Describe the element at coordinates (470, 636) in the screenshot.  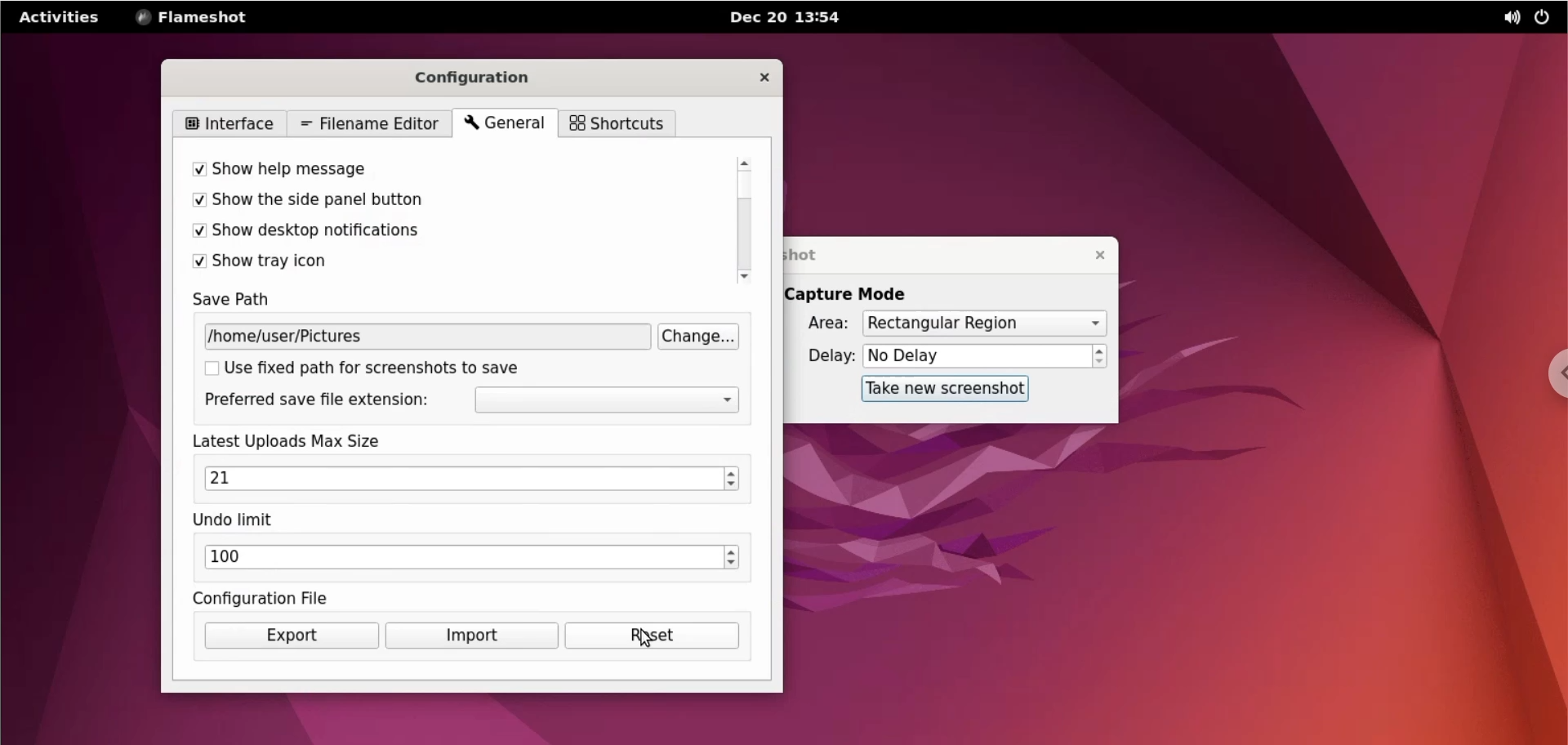
I see `import ` at that location.